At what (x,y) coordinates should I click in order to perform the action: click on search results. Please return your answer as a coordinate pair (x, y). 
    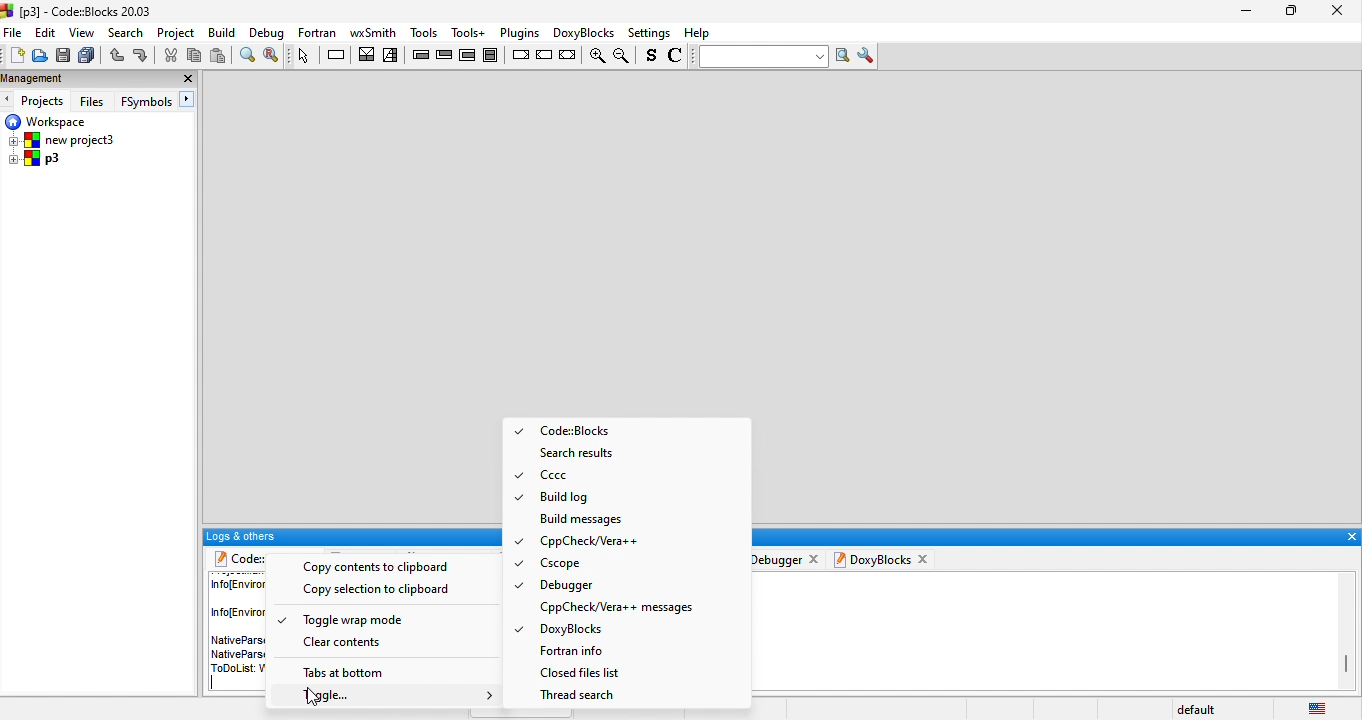
    Looking at the image, I should click on (583, 453).